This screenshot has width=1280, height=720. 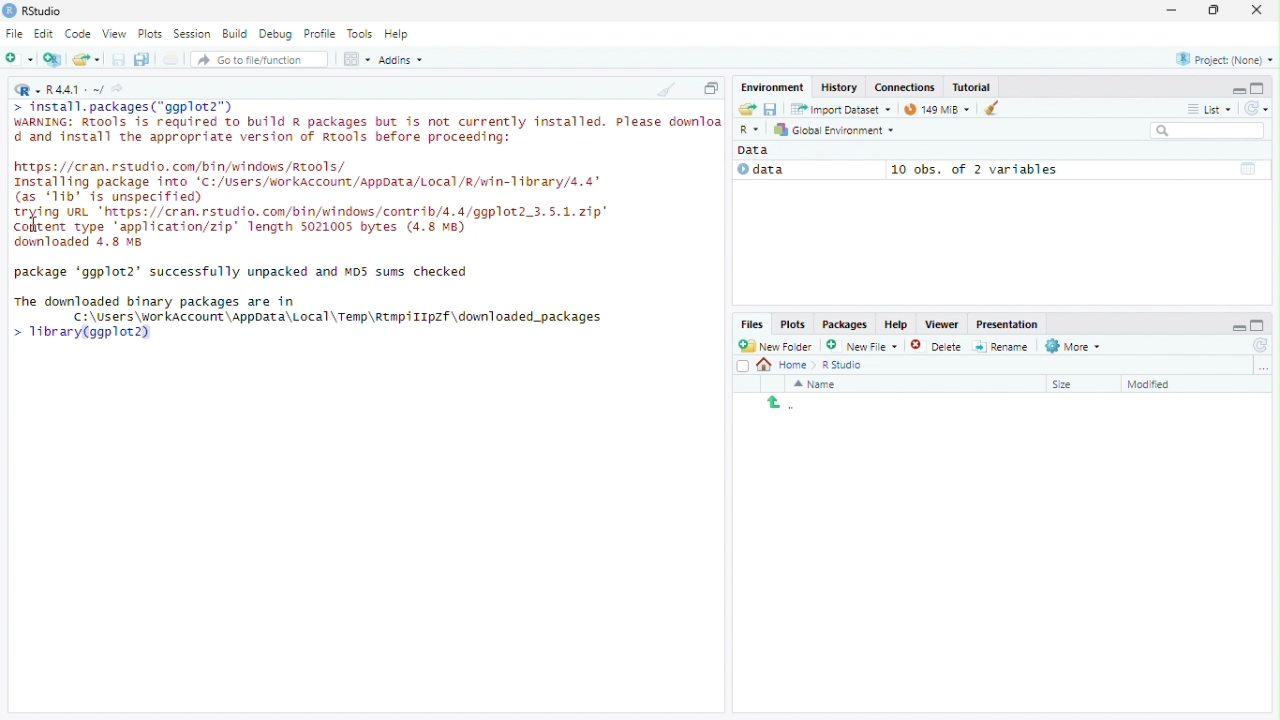 What do you see at coordinates (773, 87) in the screenshot?
I see `Environment` at bounding box center [773, 87].